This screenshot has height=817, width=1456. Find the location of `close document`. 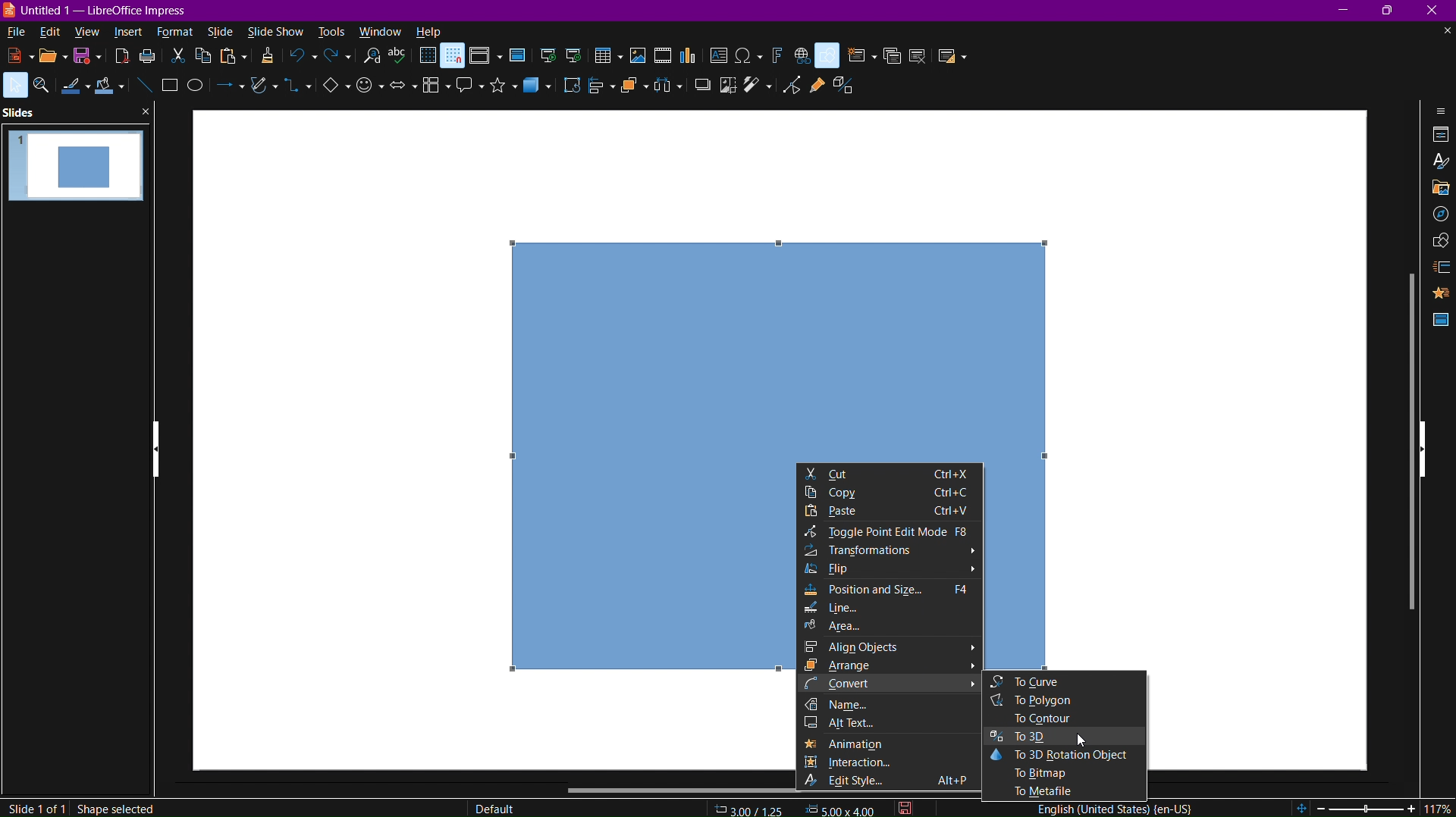

close document is located at coordinates (1446, 32).